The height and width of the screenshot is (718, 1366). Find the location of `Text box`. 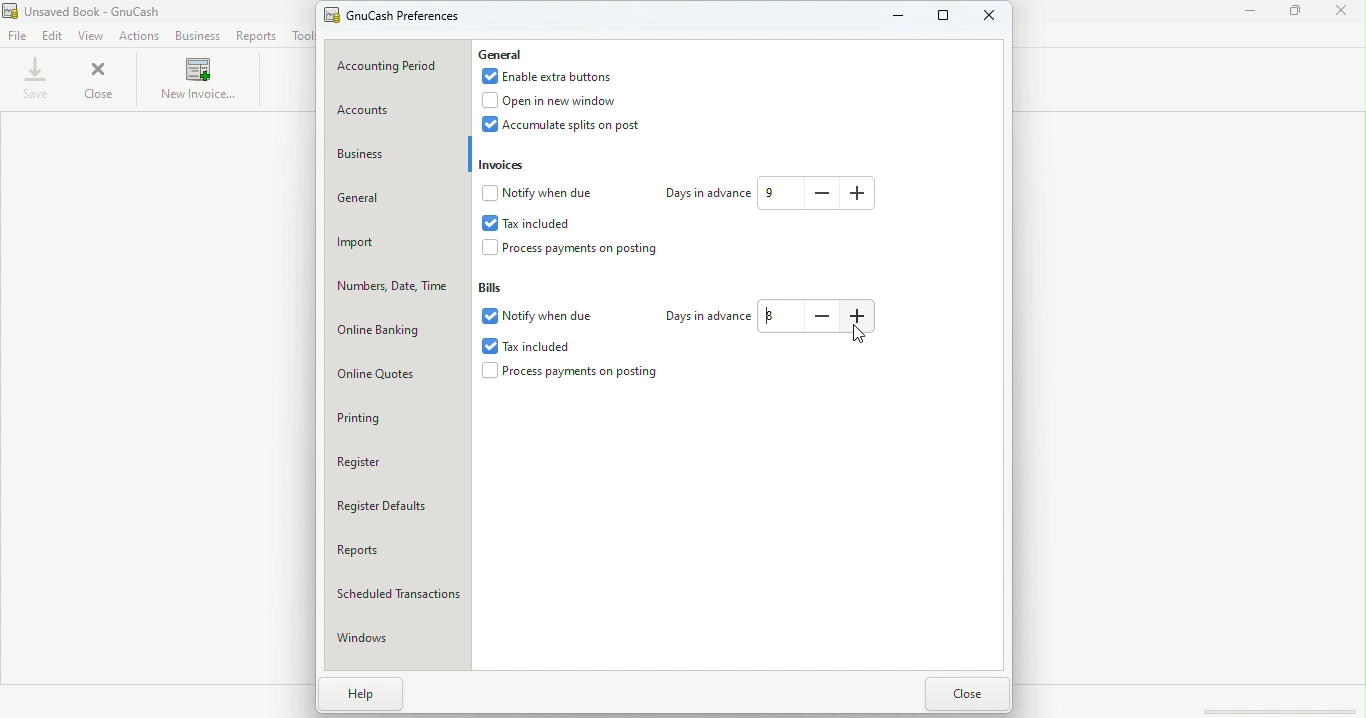

Text box is located at coordinates (779, 193).